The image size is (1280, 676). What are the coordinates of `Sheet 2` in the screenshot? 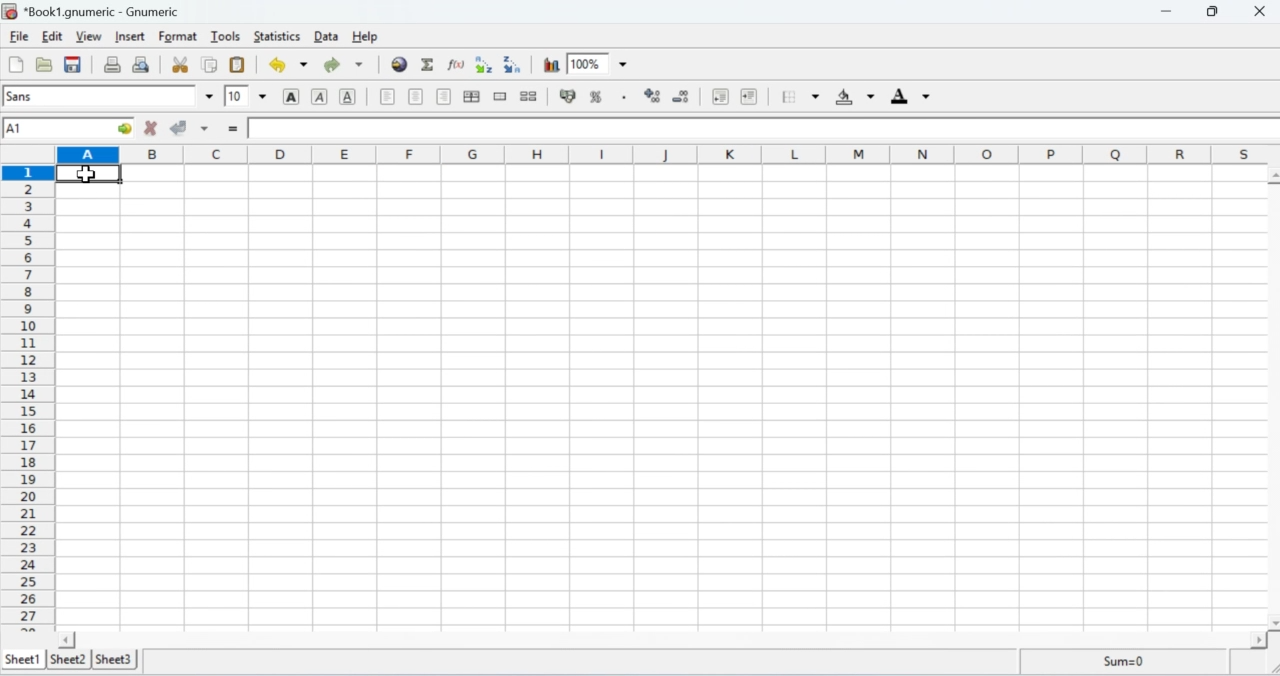 It's located at (66, 659).